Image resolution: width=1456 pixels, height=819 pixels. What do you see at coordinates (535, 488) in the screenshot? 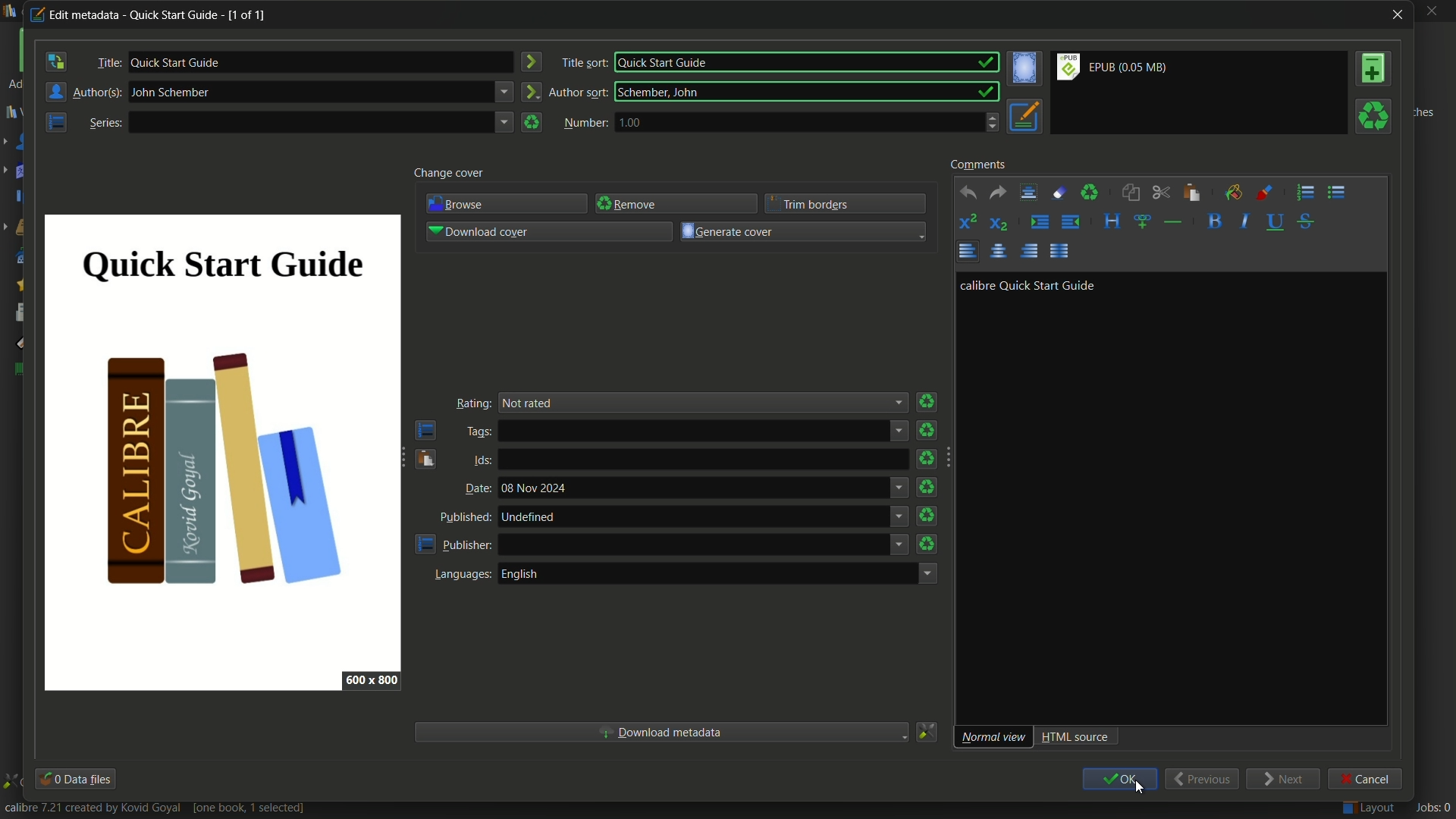
I see `text` at bounding box center [535, 488].